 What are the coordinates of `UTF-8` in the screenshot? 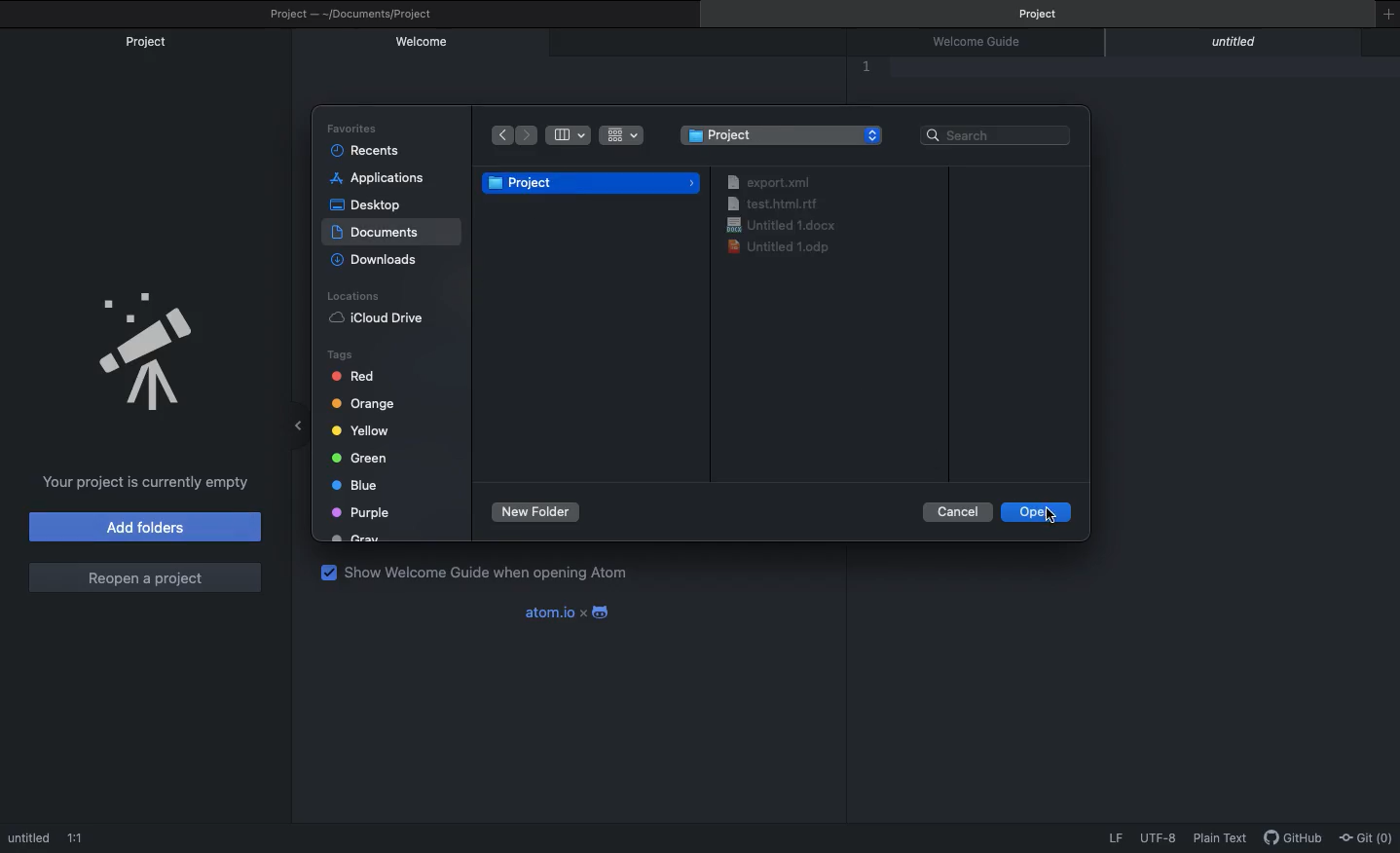 It's located at (1158, 835).